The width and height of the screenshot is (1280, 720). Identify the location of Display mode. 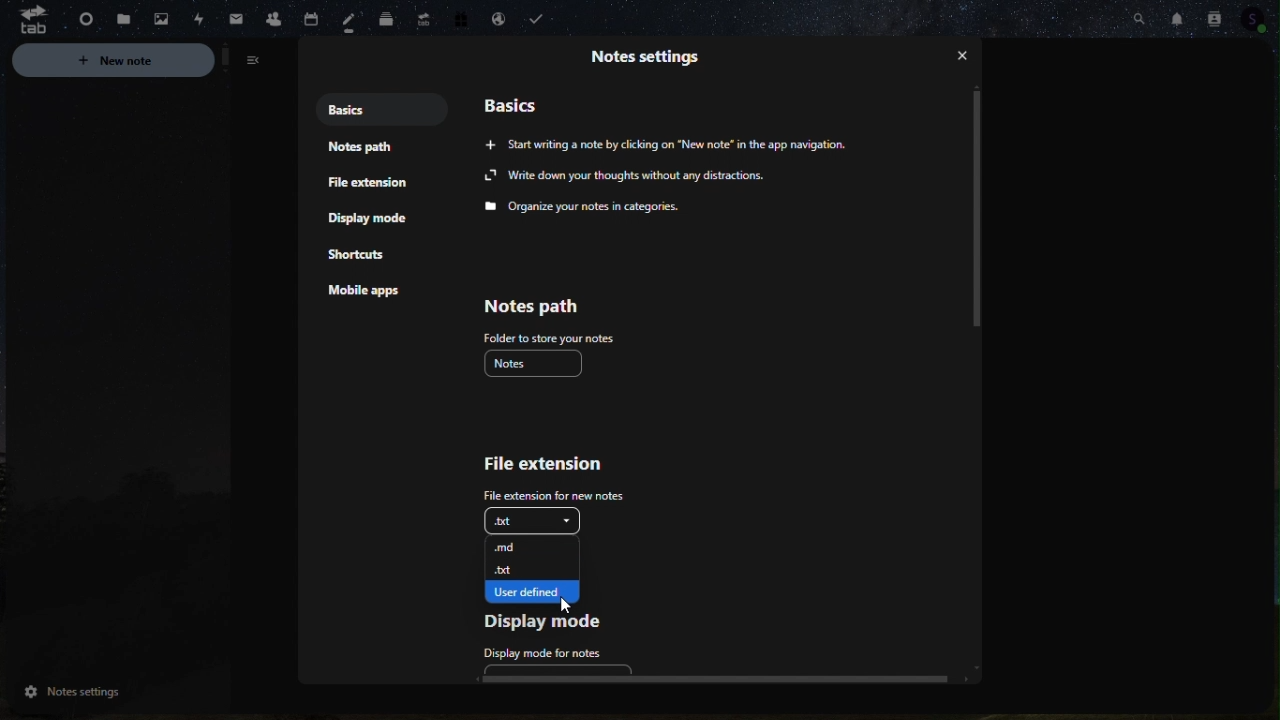
(377, 221).